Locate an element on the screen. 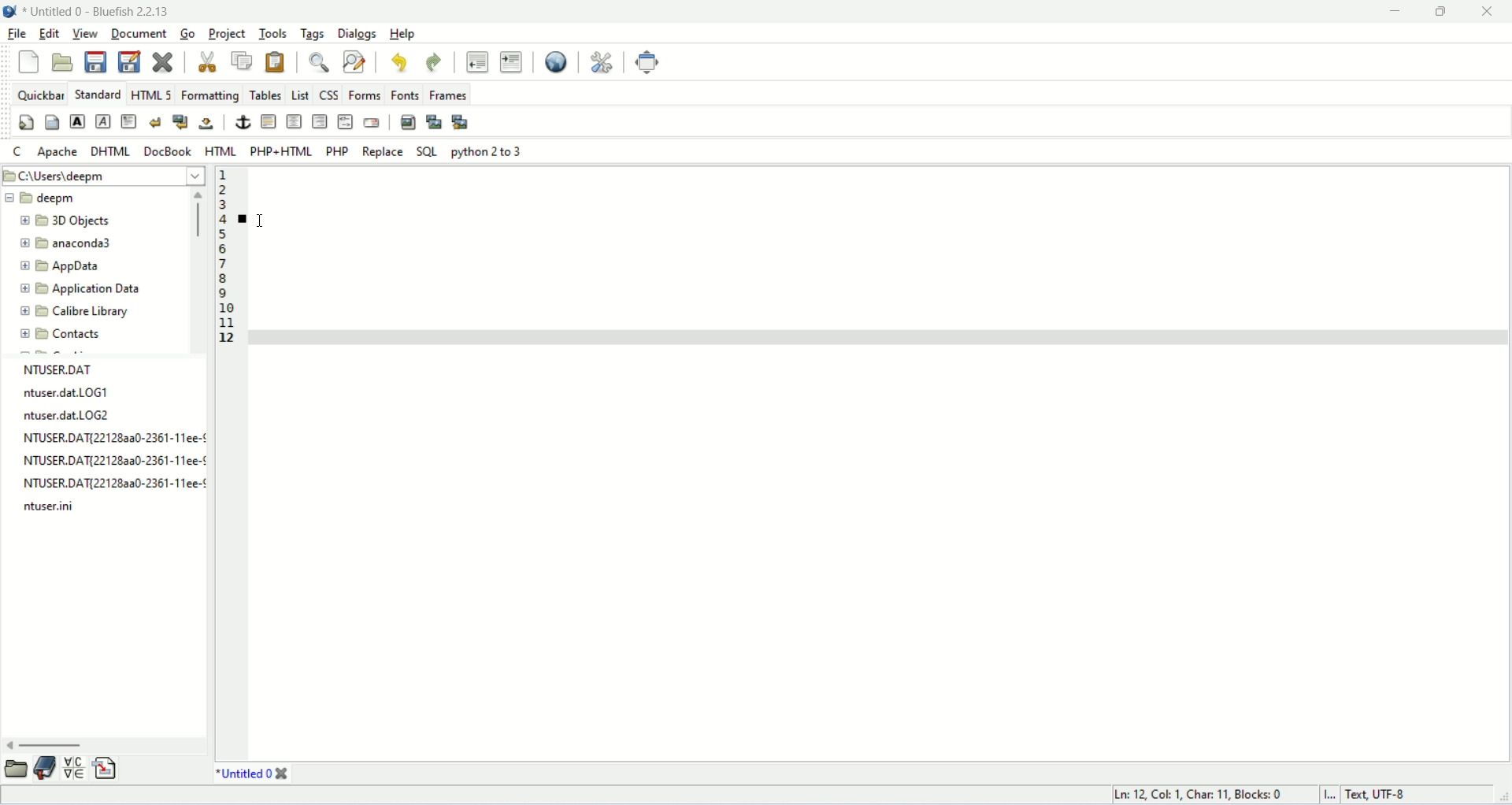 This screenshot has height=805, width=1512. open is located at coordinates (62, 62).